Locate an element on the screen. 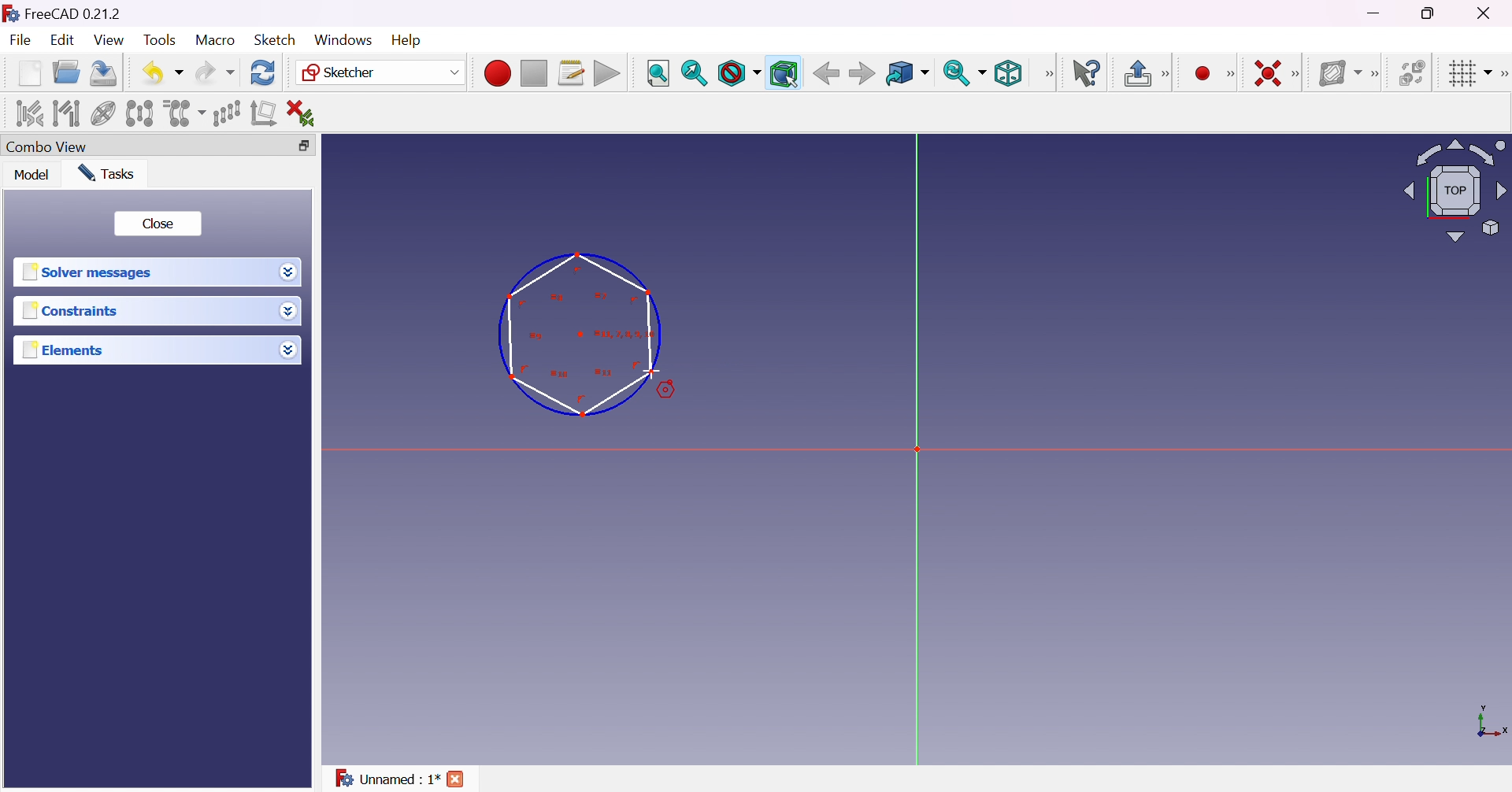 This screenshot has width=1512, height=792. Redo is located at coordinates (215, 72).